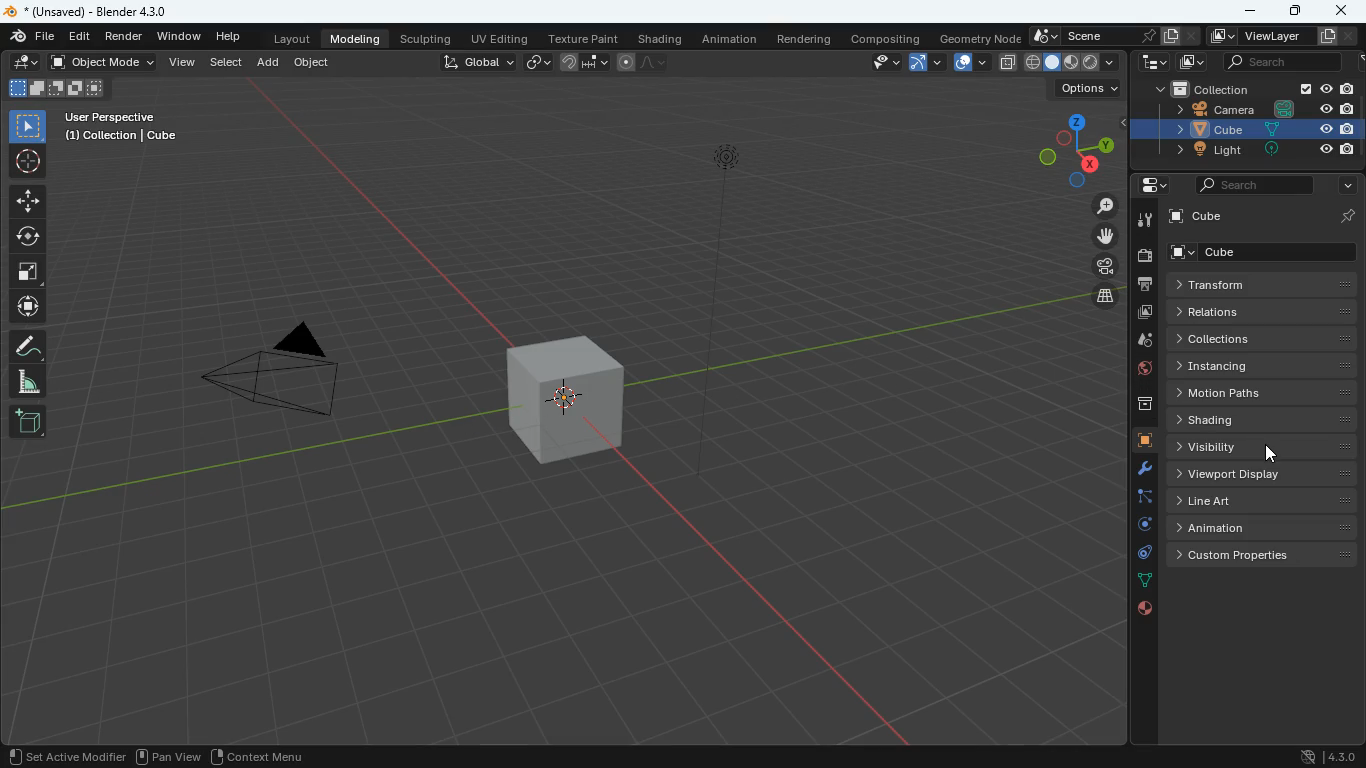  I want to click on version, so click(1327, 756).